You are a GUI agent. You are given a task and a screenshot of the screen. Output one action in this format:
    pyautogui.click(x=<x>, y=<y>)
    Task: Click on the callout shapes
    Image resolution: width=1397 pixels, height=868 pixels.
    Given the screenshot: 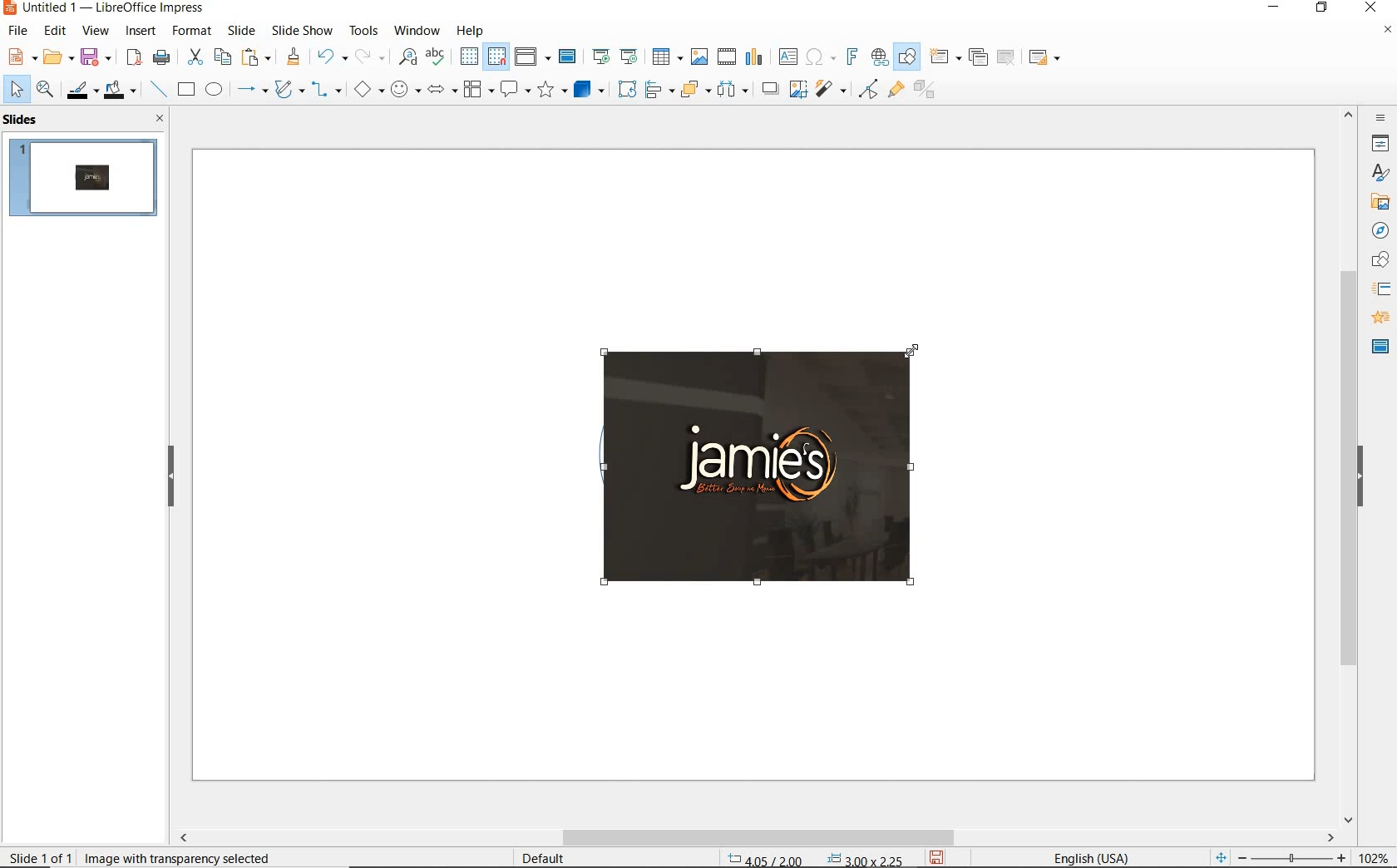 What is the action you would take?
    pyautogui.click(x=512, y=91)
    